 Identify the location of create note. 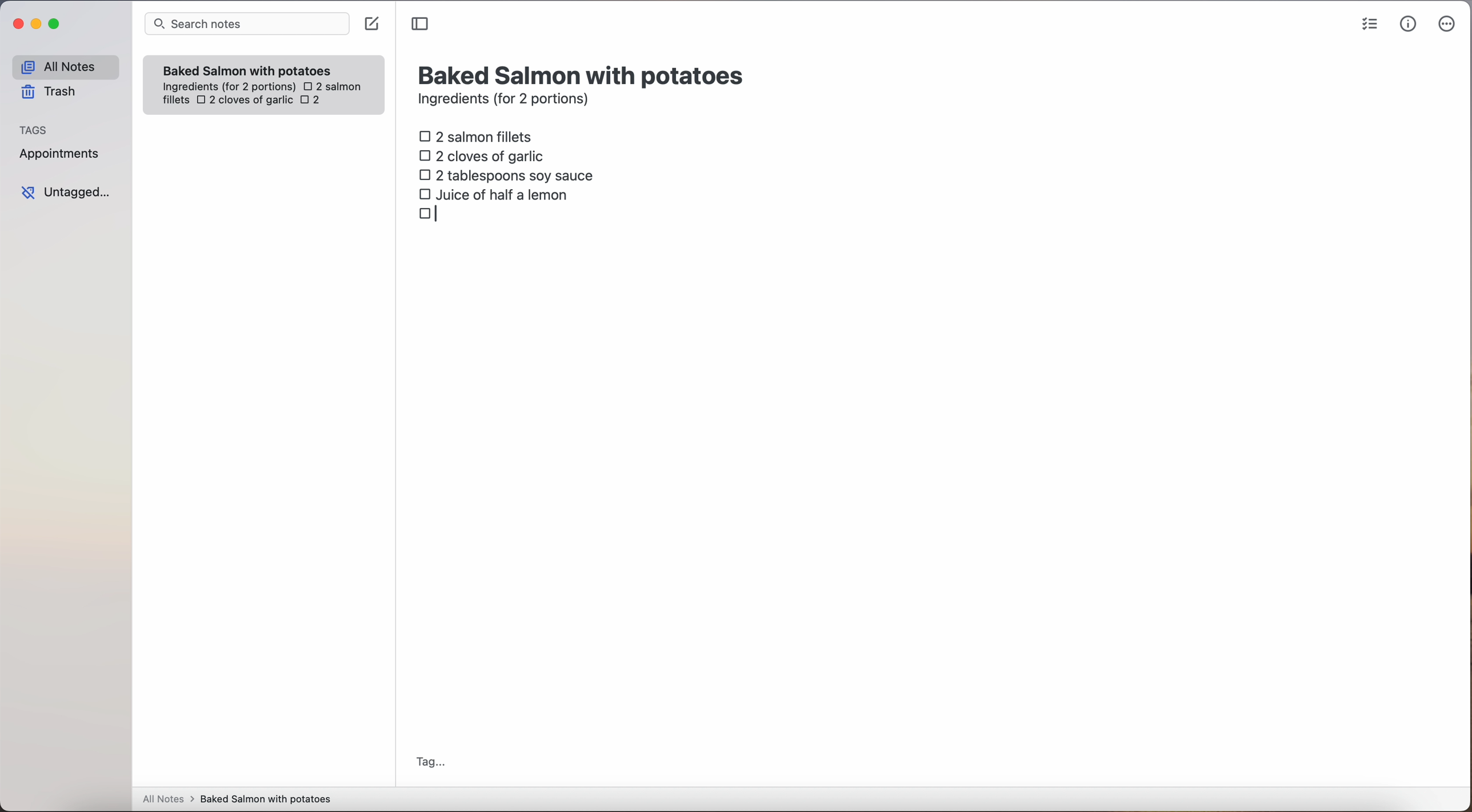
(371, 24).